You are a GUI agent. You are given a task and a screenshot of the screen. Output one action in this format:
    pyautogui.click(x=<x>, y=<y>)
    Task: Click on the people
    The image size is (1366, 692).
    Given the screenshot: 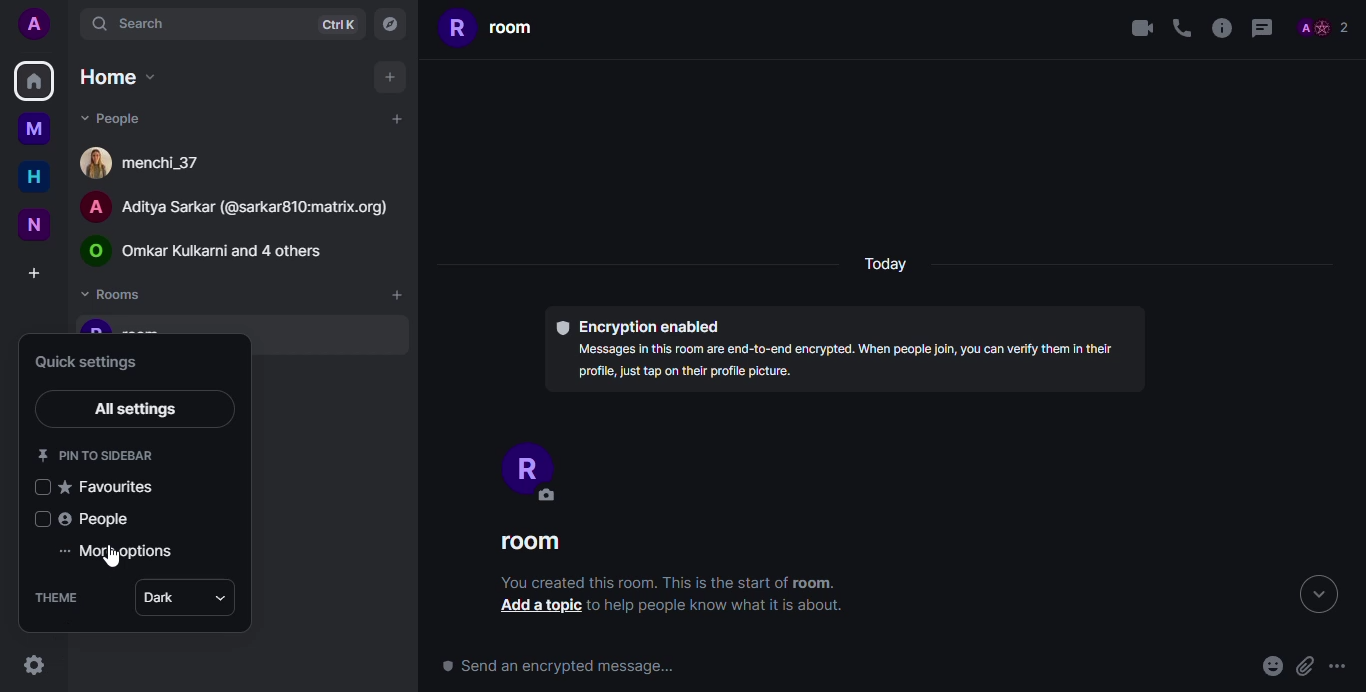 What is the action you would take?
    pyautogui.click(x=96, y=519)
    